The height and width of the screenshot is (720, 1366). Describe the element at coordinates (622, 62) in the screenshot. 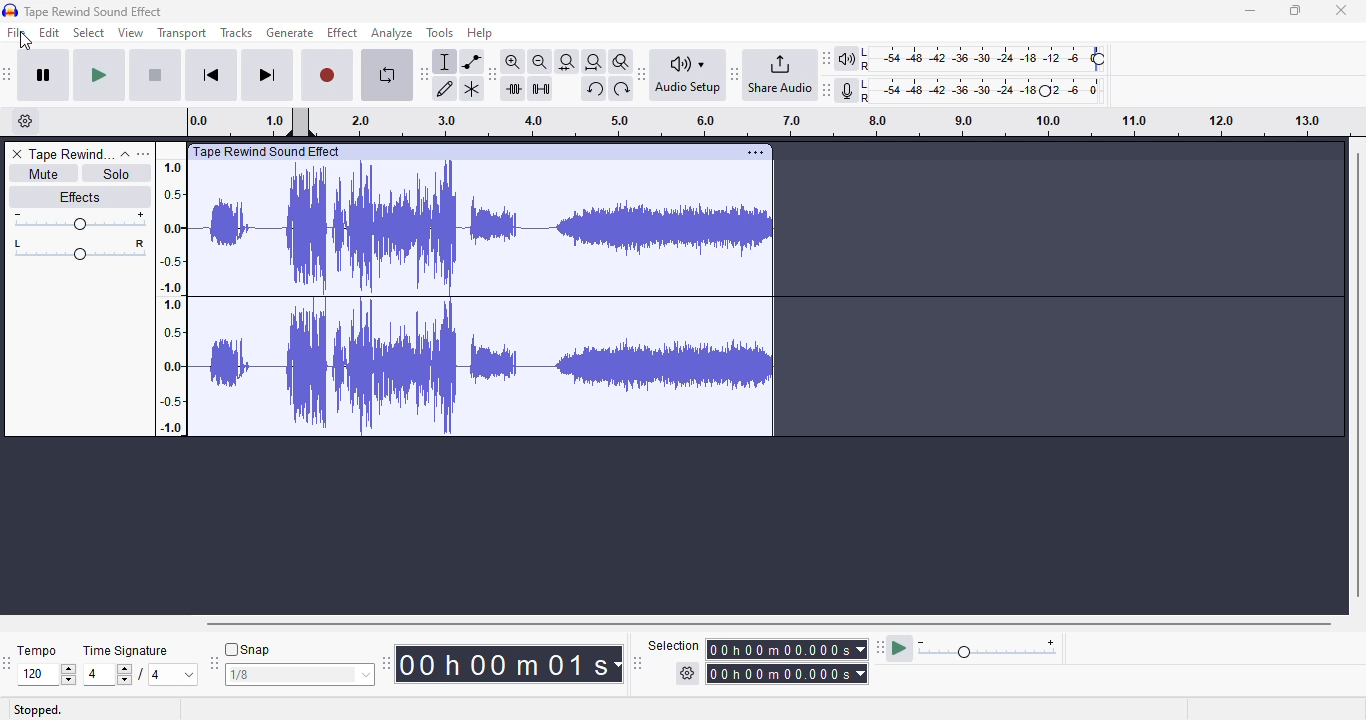

I see `zoom toggle` at that location.